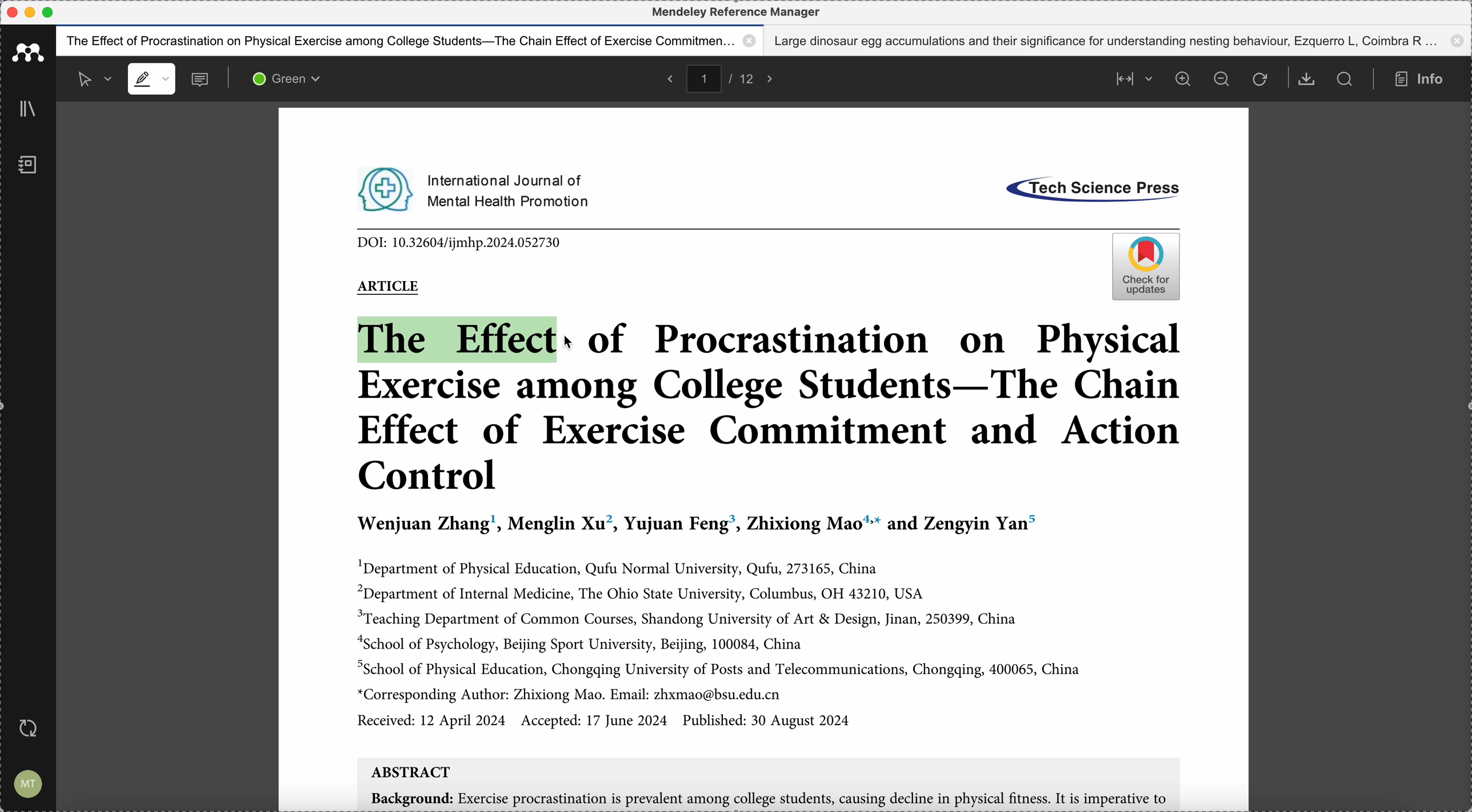 The height and width of the screenshot is (812, 1472). Describe the element at coordinates (410, 41) in the screenshot. I see `The effect of procastination on physical exercise among college students - The Chain effect of exercise` at that location.